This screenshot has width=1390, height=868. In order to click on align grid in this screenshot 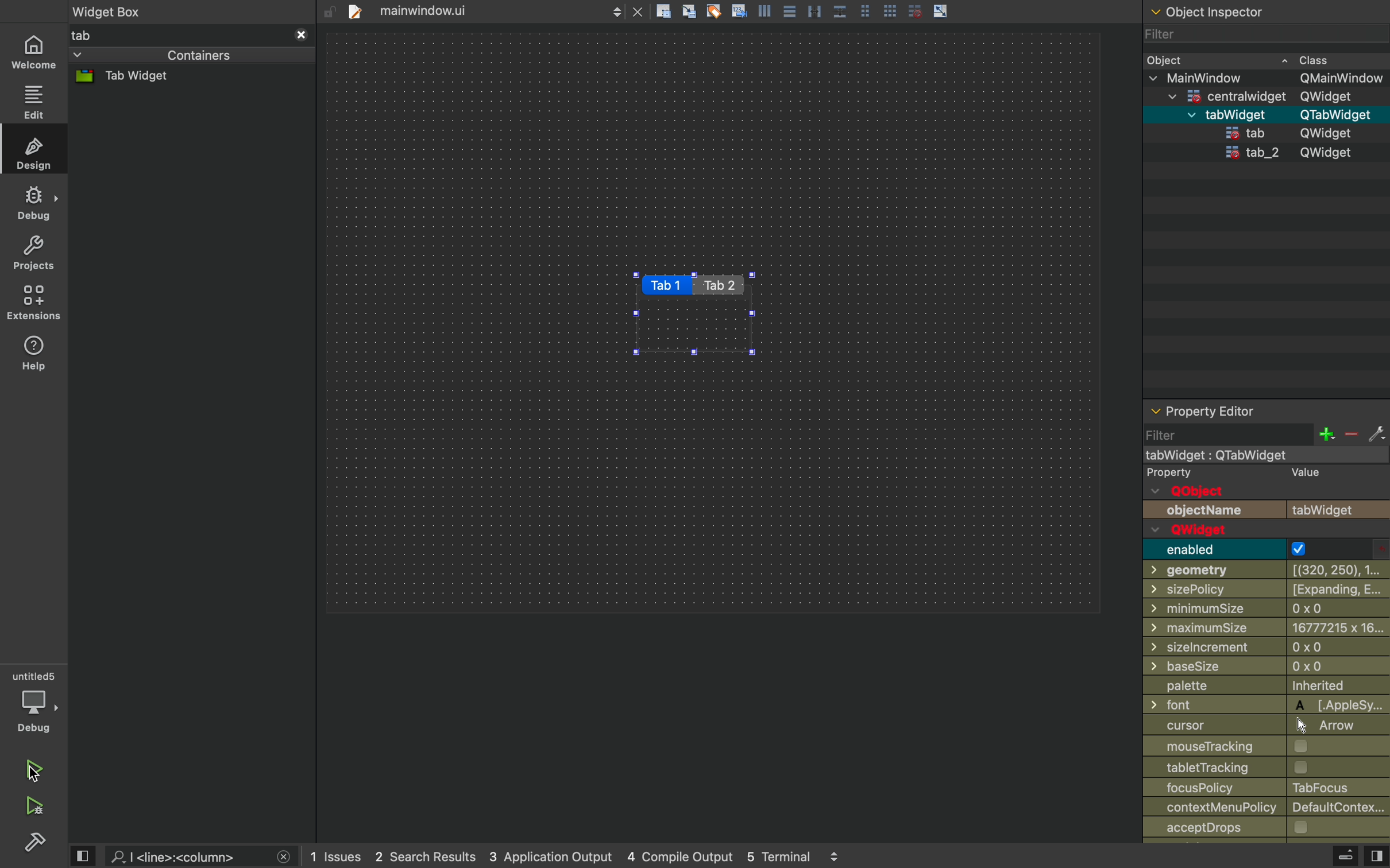, I will do `click(689, 11)`.